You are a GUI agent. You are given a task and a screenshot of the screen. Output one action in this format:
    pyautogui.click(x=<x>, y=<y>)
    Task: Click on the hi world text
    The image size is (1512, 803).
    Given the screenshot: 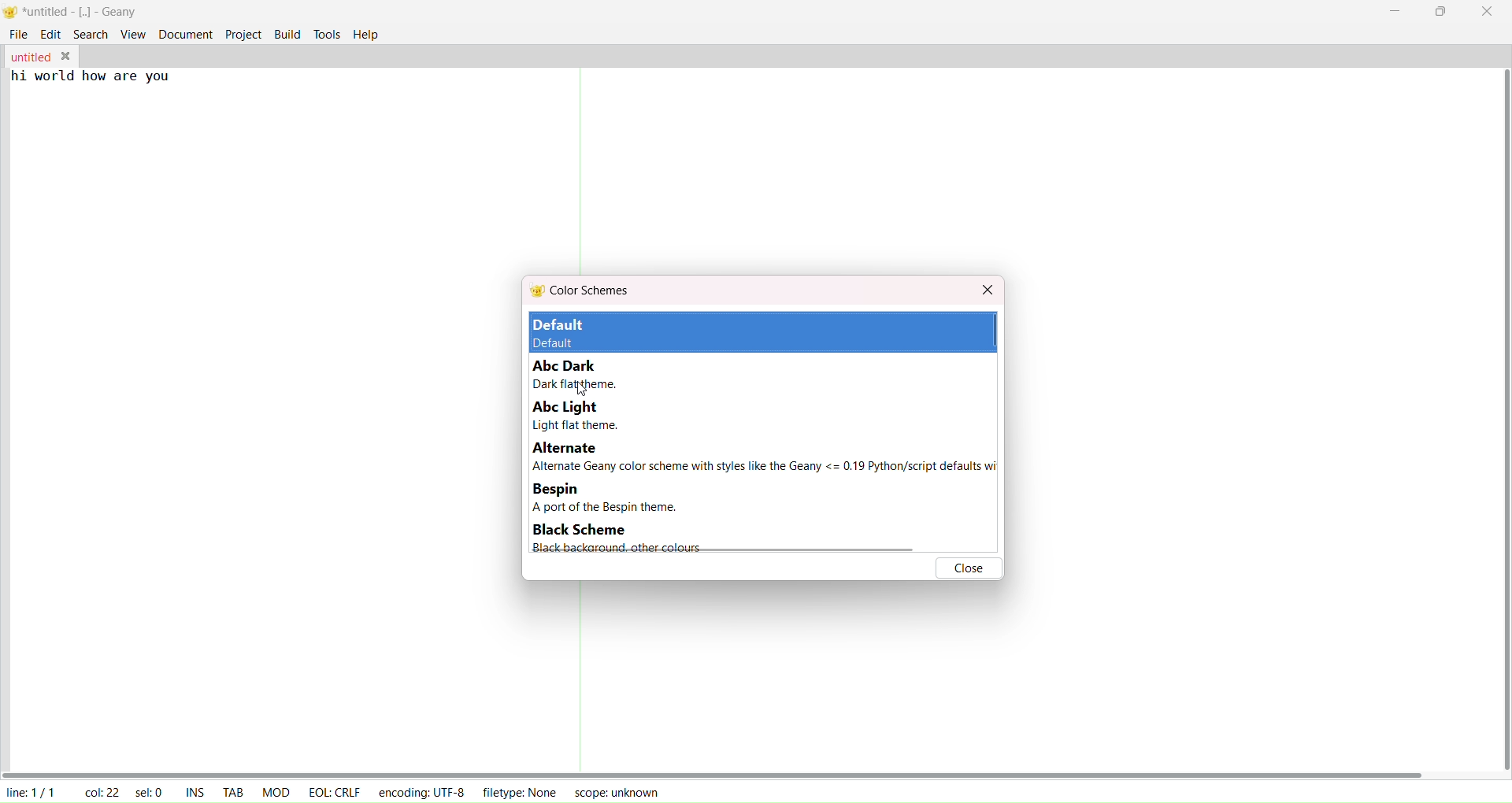 What is the action you would take?
    pyautogui.click(x=94, y=81)
    